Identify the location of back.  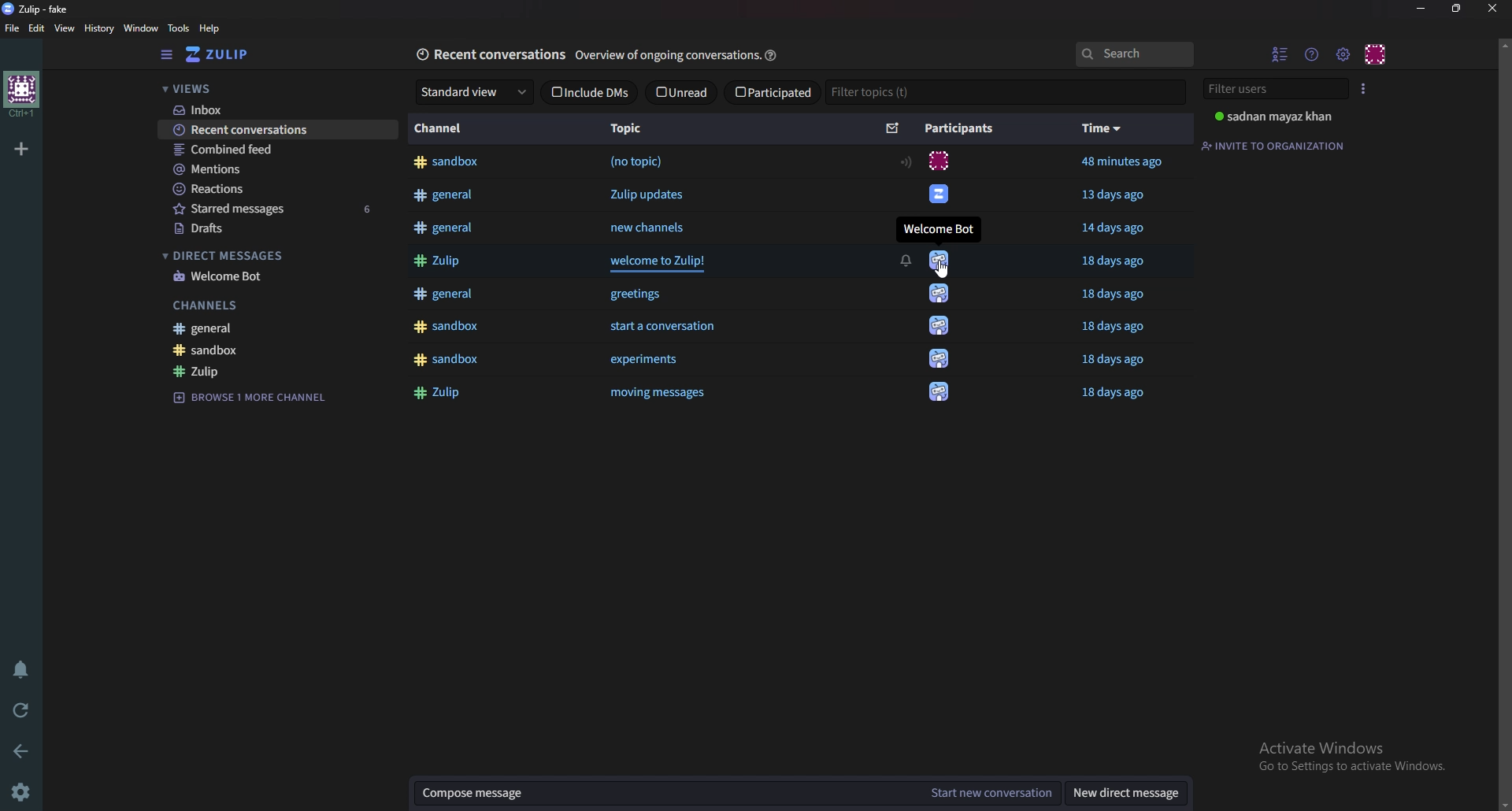
(21, 751).